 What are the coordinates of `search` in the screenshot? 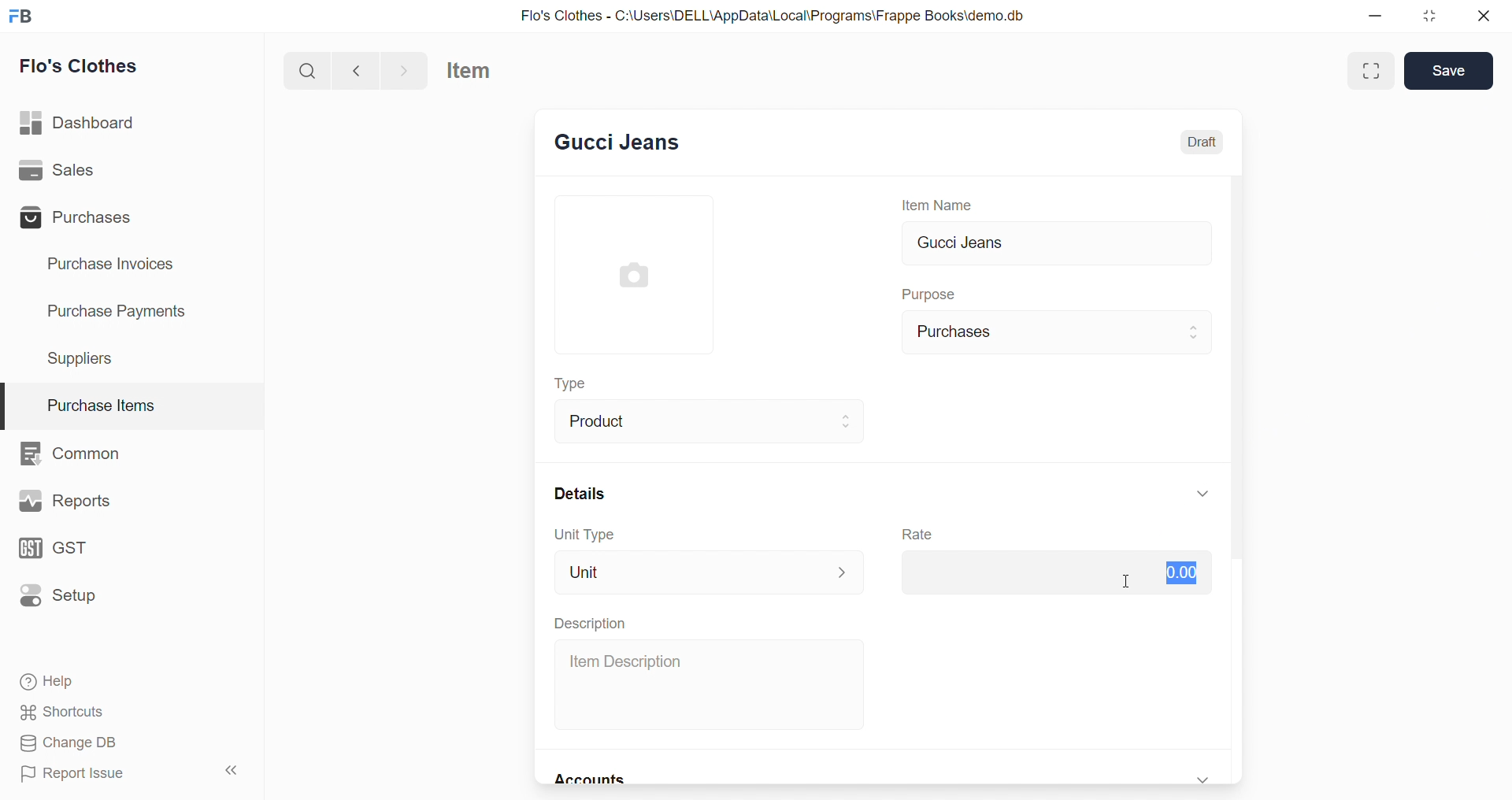 It's located at (306, 69).